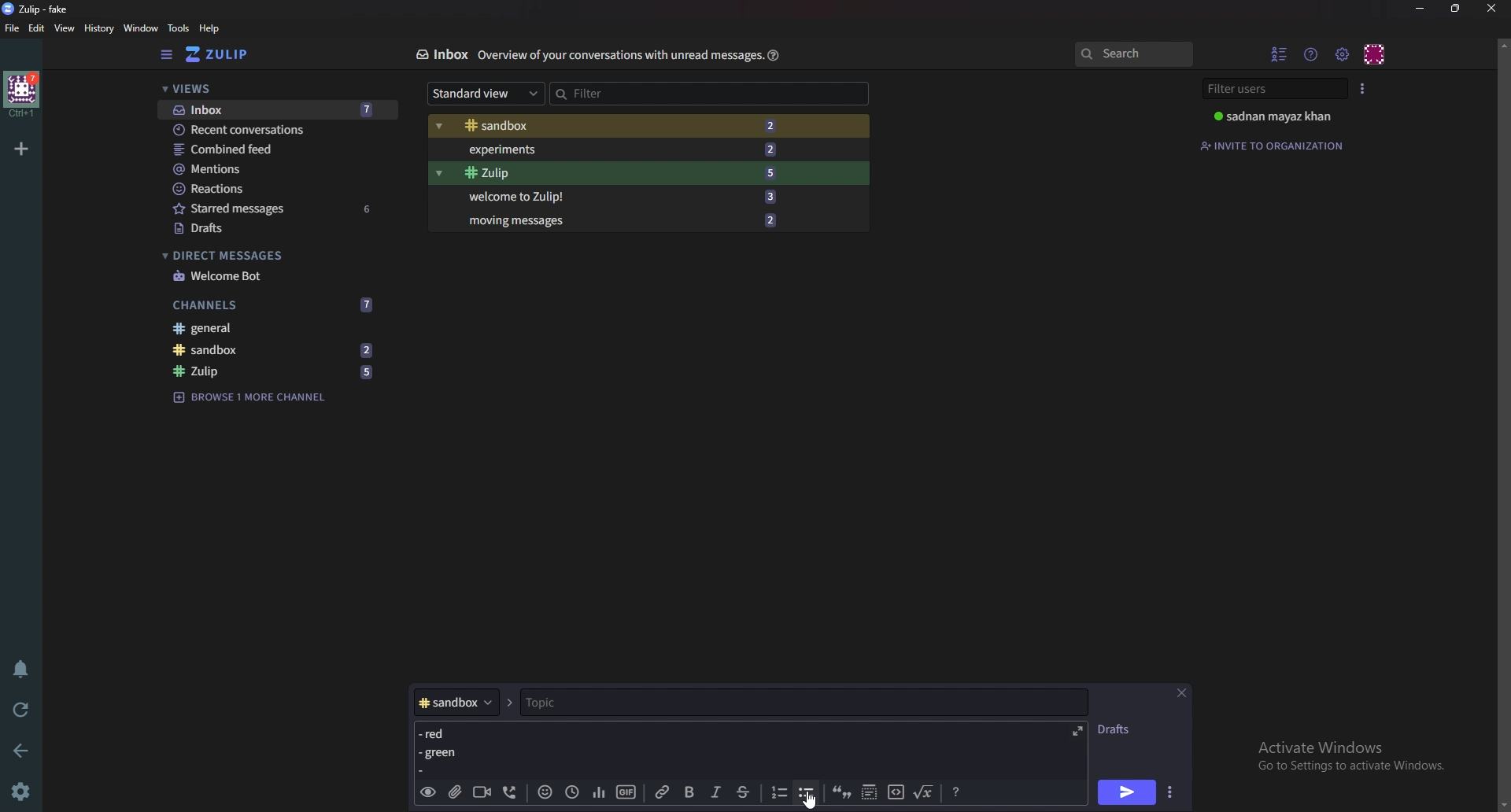  I want to click on Scroll bar, so click(1502, 424).